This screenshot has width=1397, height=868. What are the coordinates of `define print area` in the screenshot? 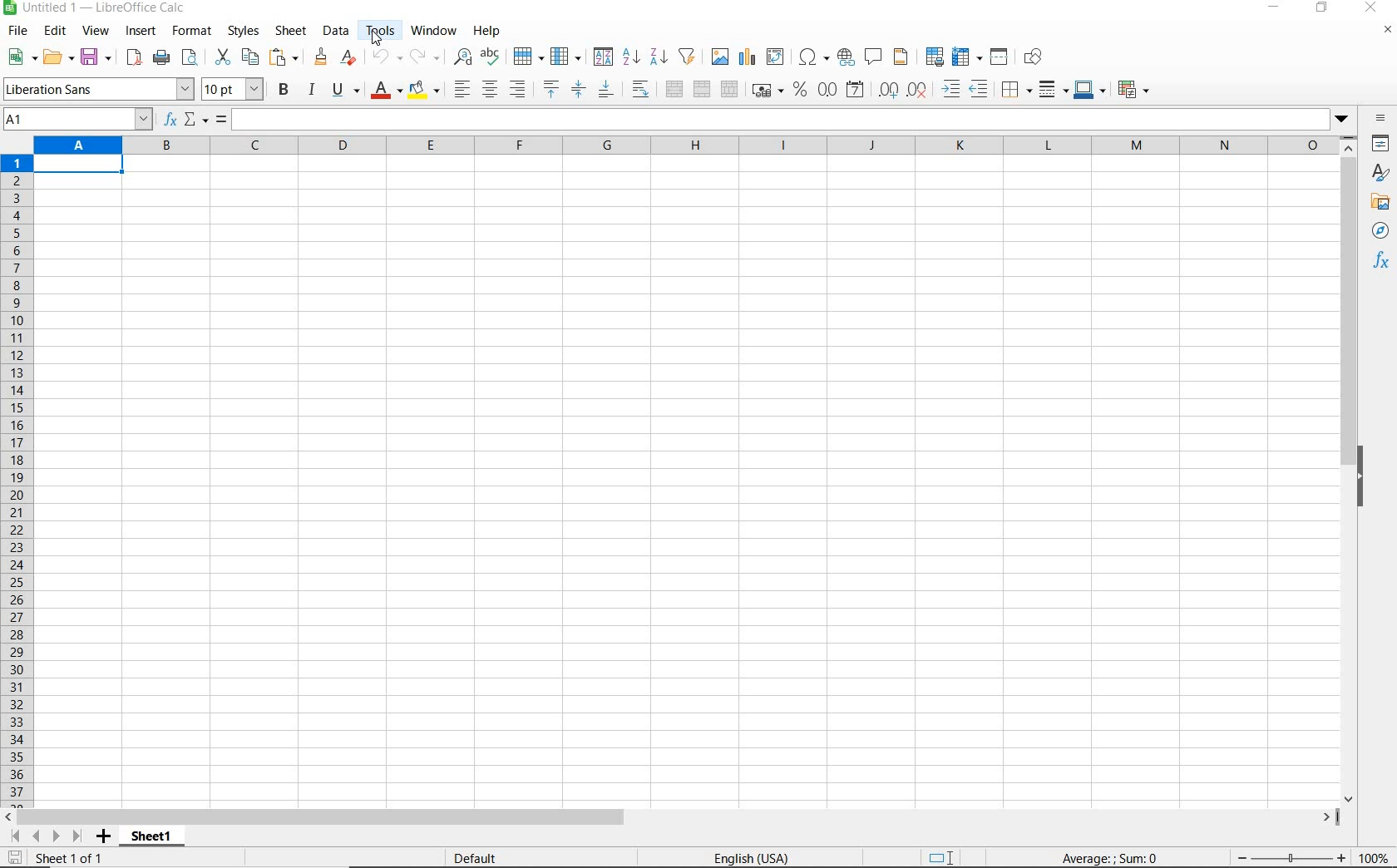 It's located at (933, 57).